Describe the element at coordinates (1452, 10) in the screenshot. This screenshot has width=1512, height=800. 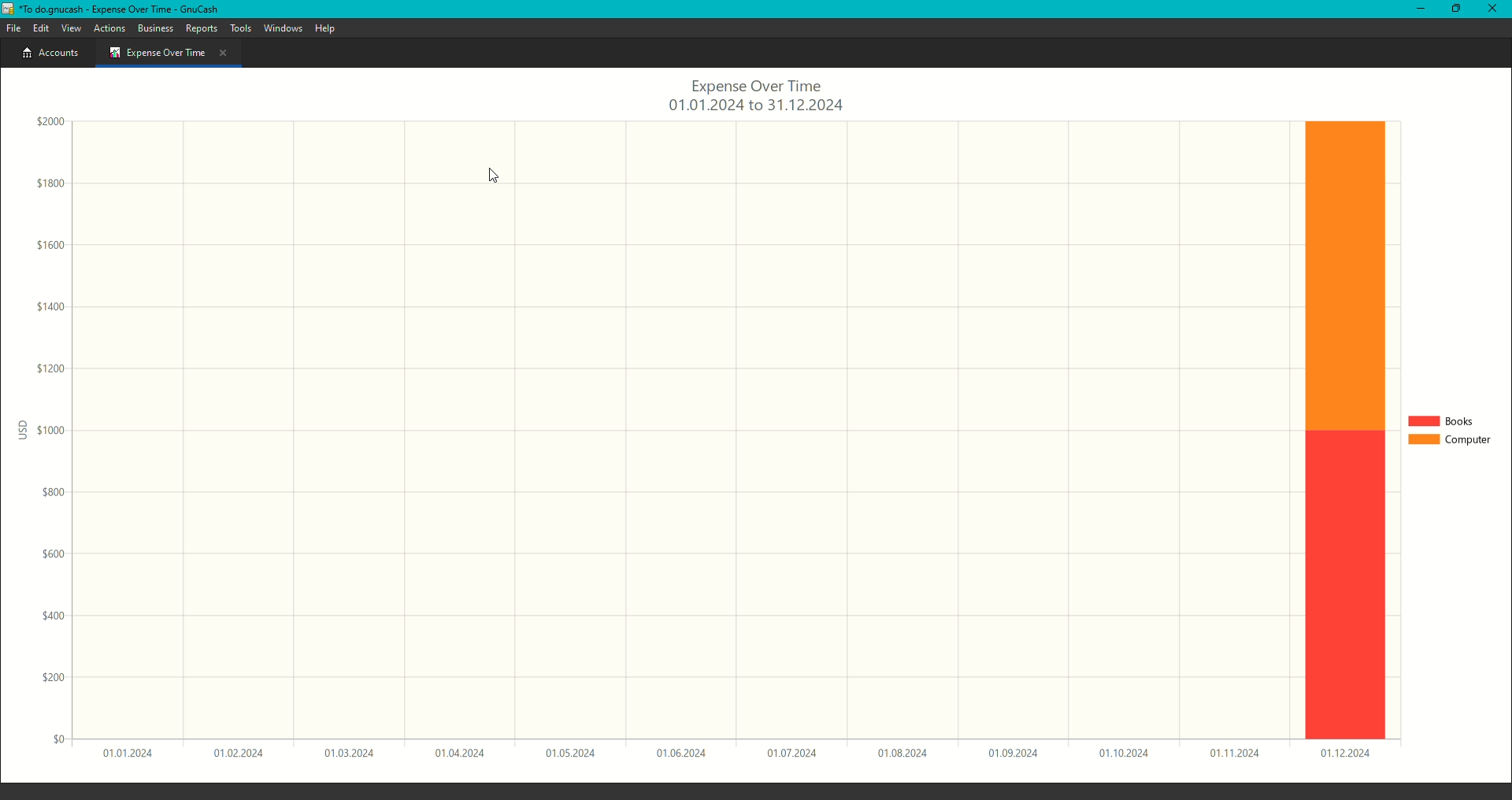
I see `Restore` at that location.